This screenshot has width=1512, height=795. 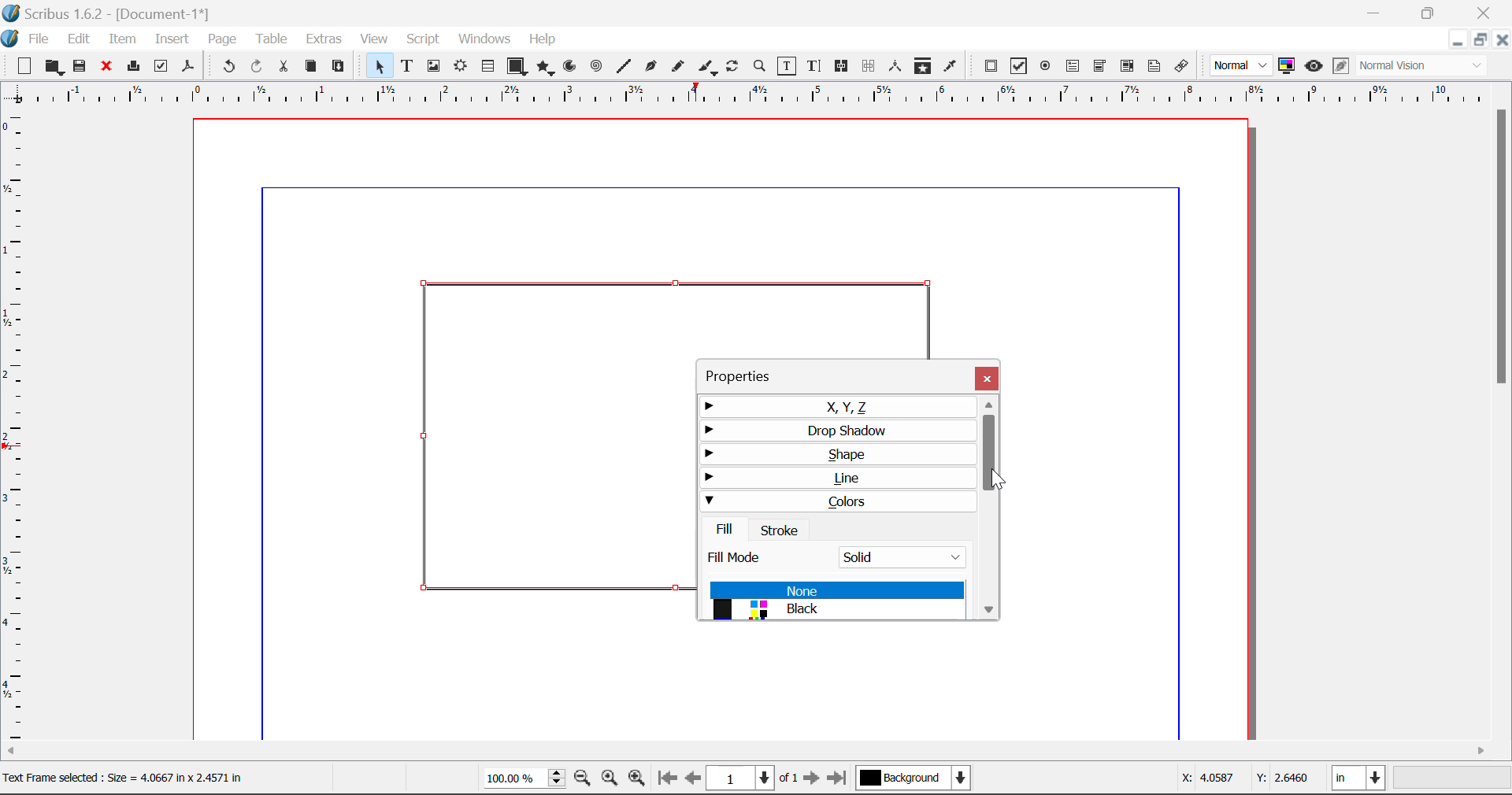 I want to click on Measurement Units, so click(x=1360, y=780).